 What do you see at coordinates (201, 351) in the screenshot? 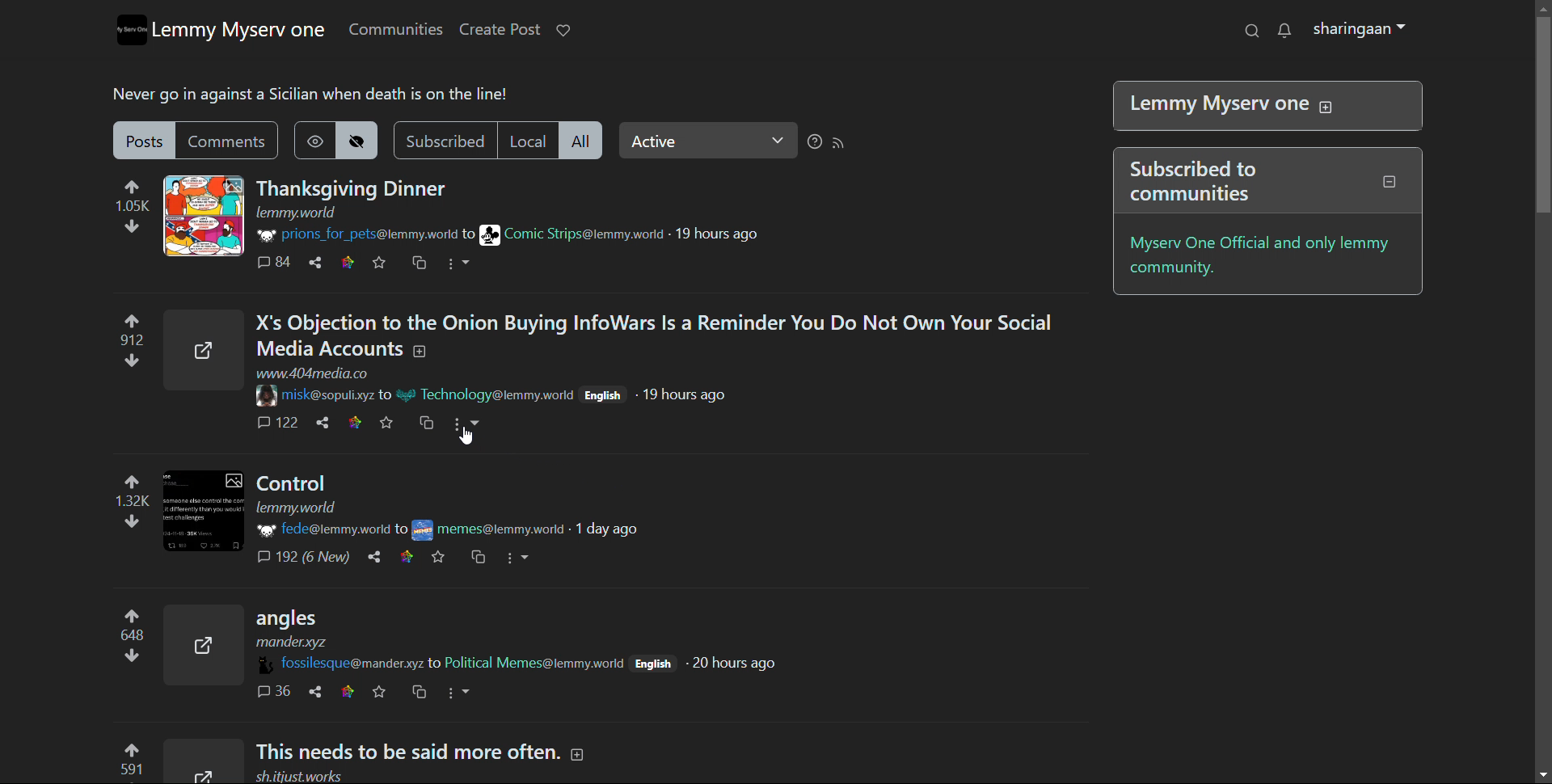
I see `Expand here with the image` at bounding box center [201, 351].